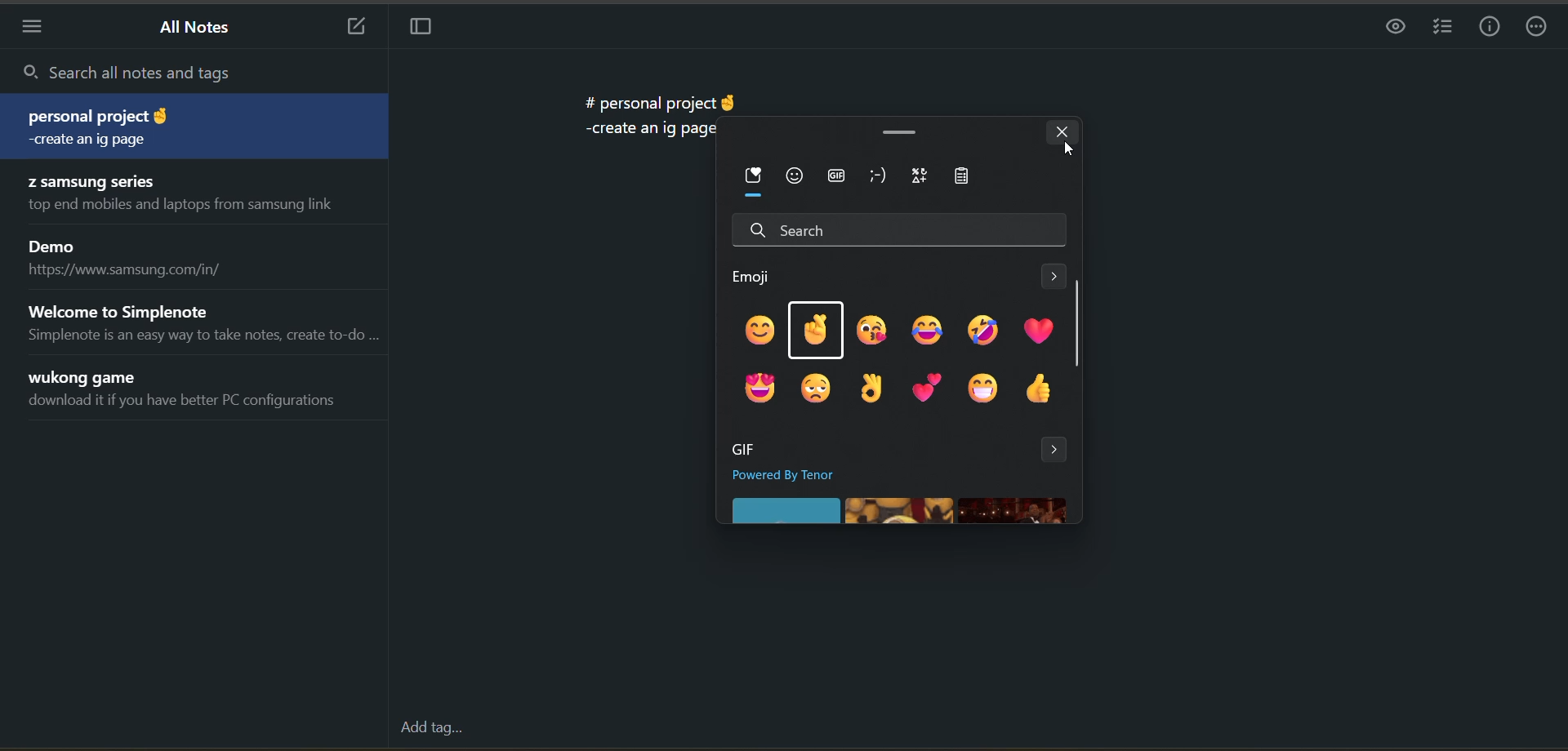  What do you see at coordinates (1057, 453) in the screenshot?
I see `see more` at bounding box center [1057, 453].